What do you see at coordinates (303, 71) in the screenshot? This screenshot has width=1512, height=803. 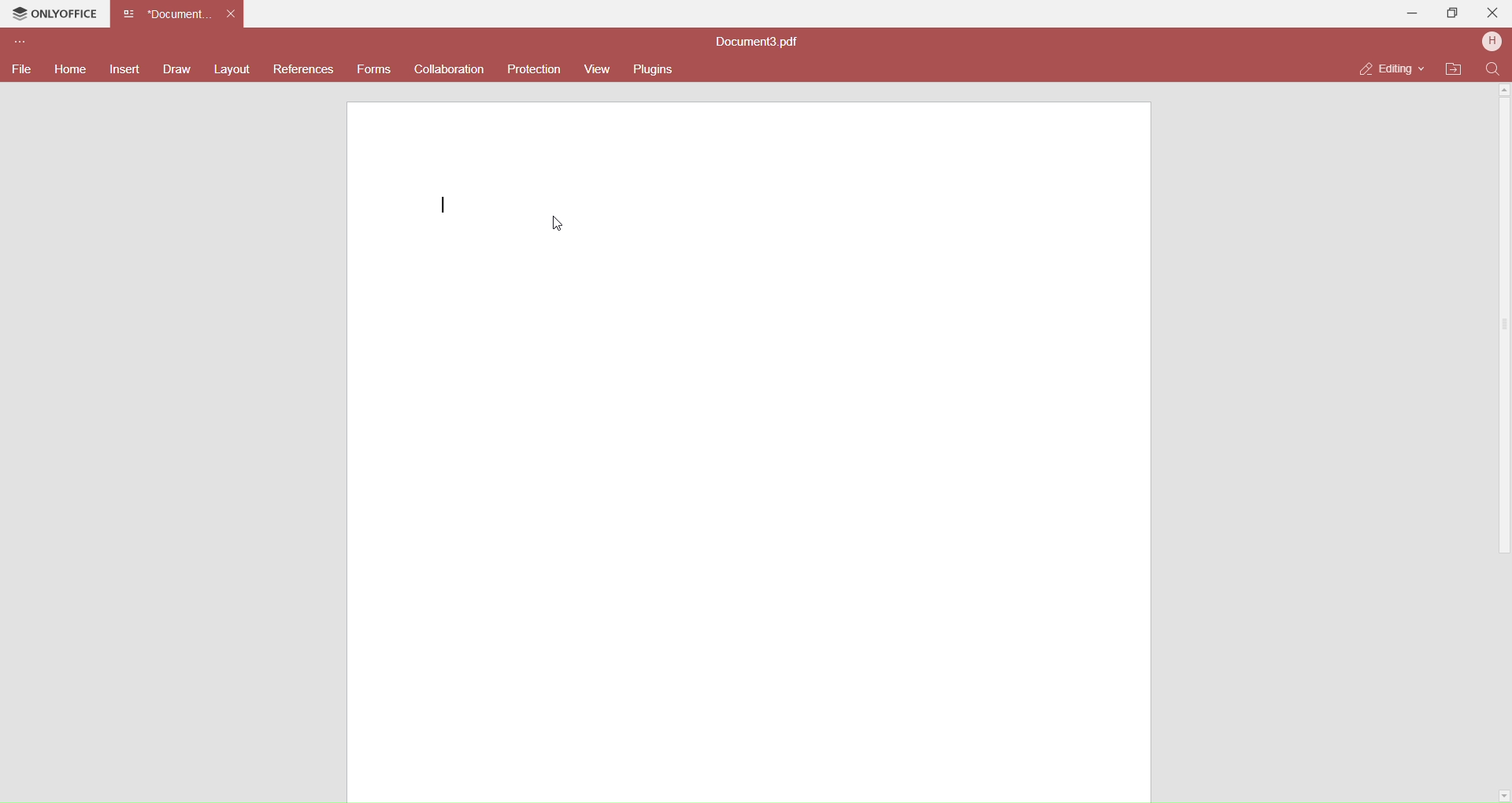 I see `Referenecs` at bounding box center [303, 71].